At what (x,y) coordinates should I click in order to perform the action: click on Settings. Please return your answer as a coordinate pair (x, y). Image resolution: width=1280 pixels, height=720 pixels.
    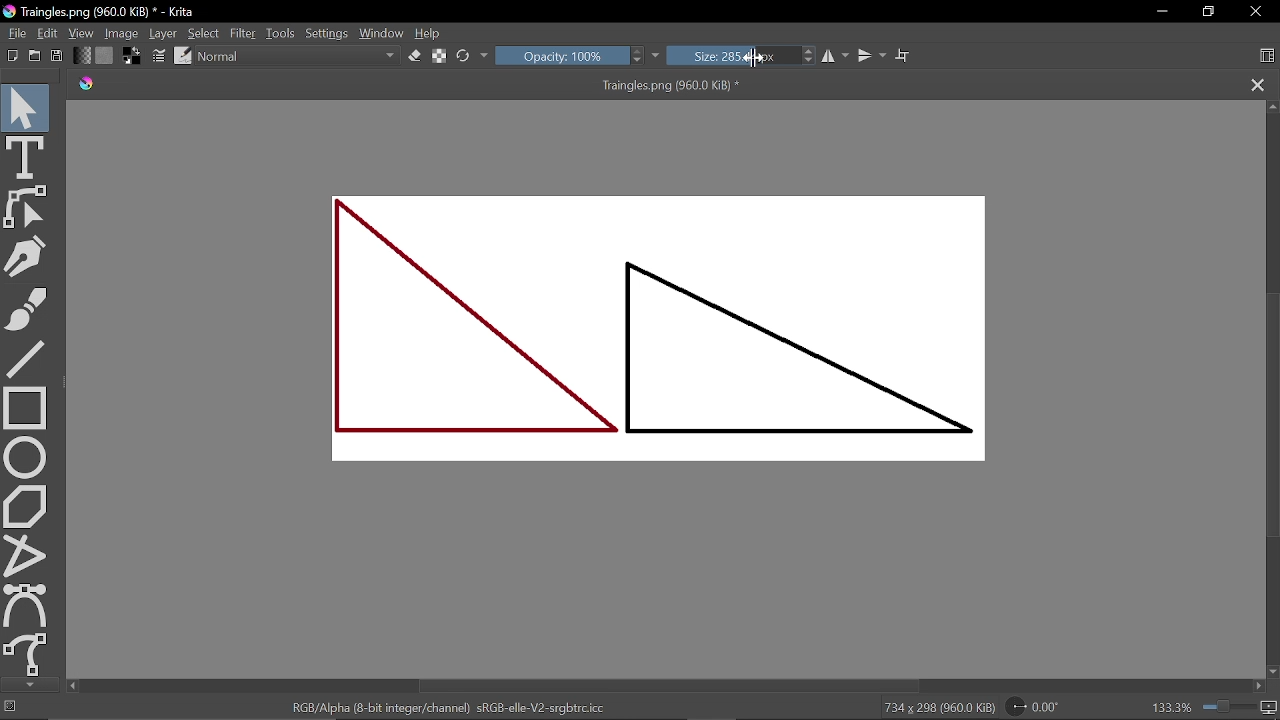
    Looking at the image, I should click on (327, 34).